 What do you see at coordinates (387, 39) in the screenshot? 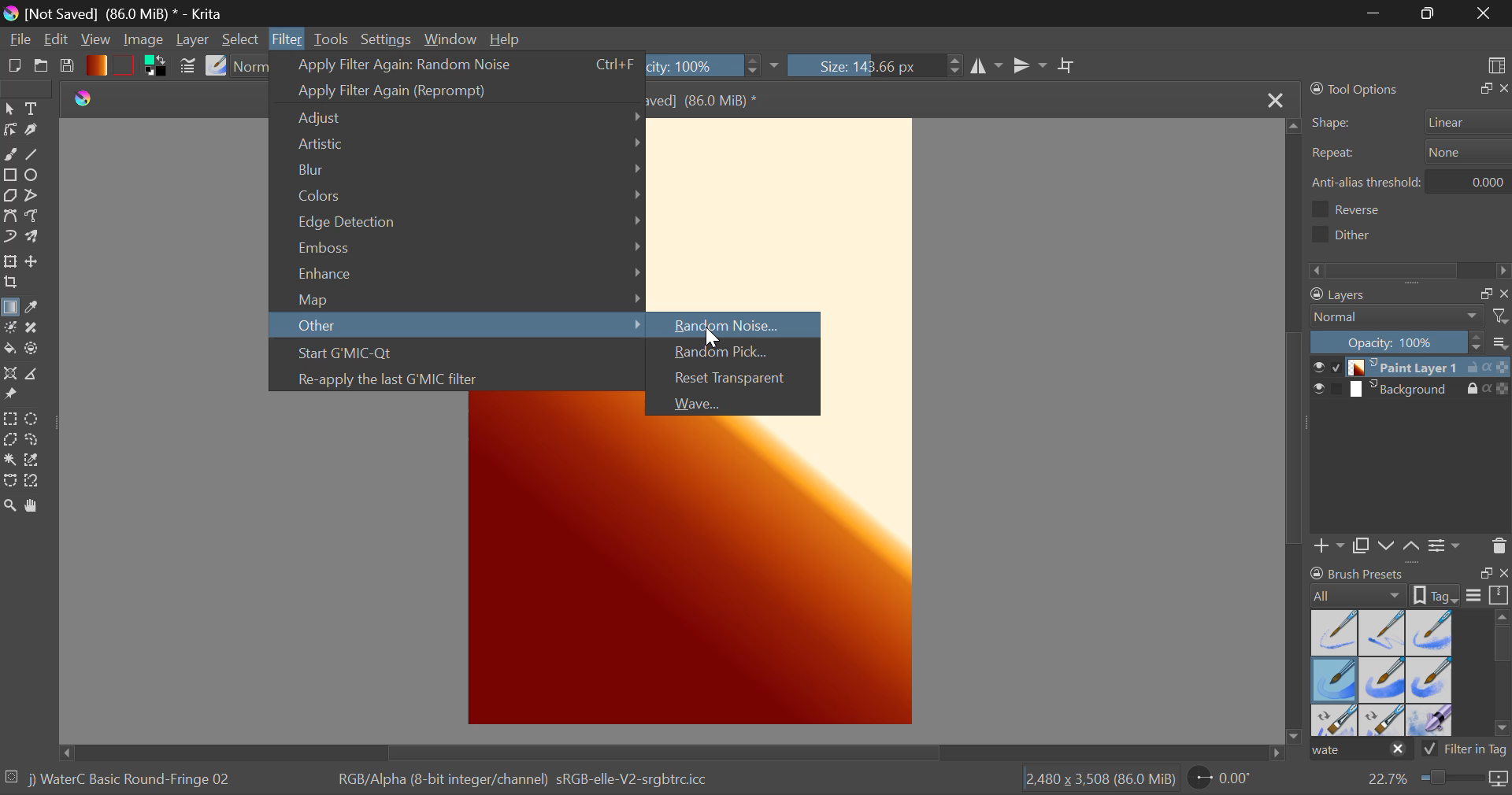
I see `Settings` at bounding box center [387, 39].